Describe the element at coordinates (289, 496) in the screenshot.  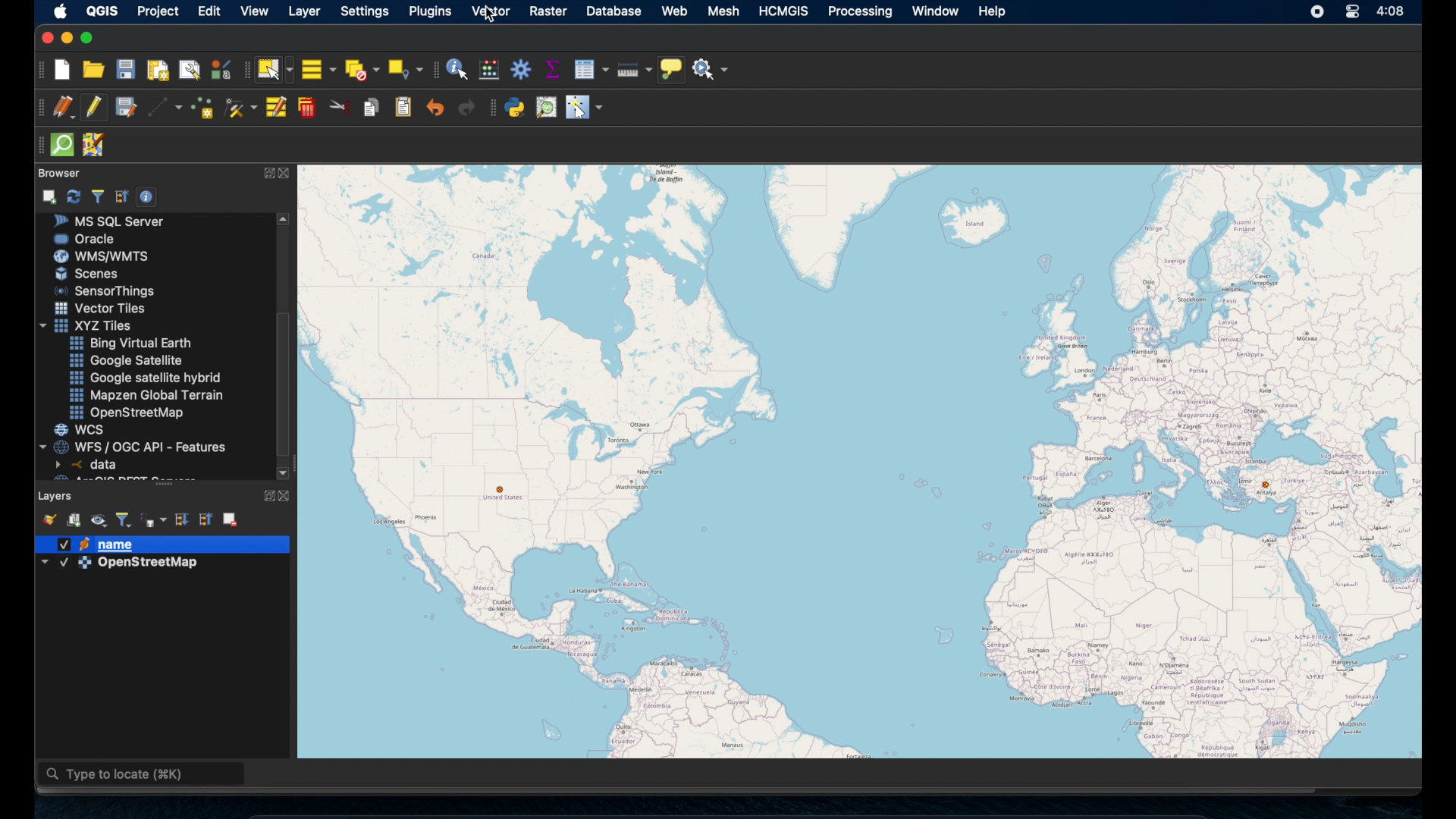
I see `close` at that location.